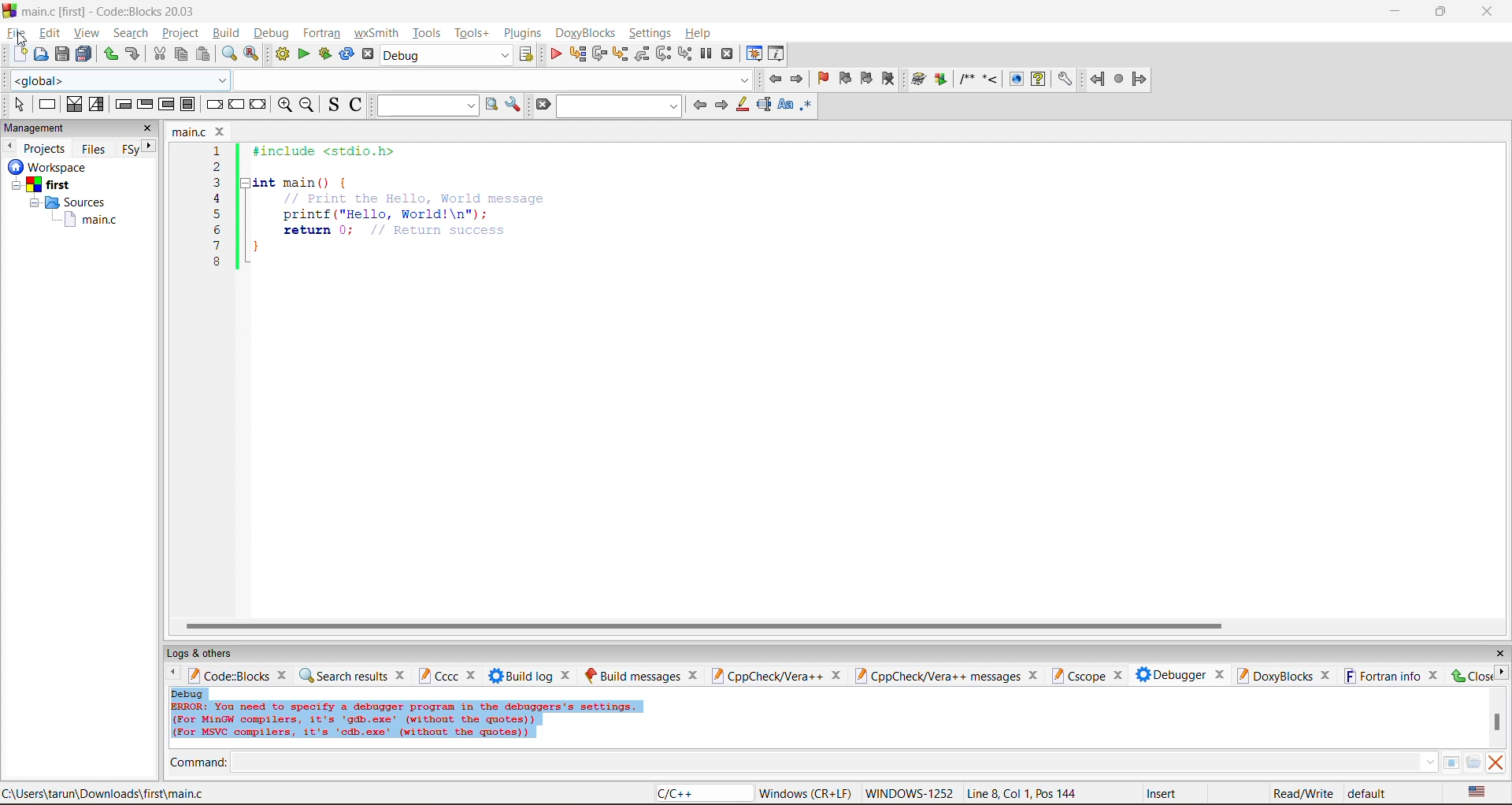  What do you see at coordinates (217, 167) in the screenshot?
I see `2` at bounding box center [217, 167].